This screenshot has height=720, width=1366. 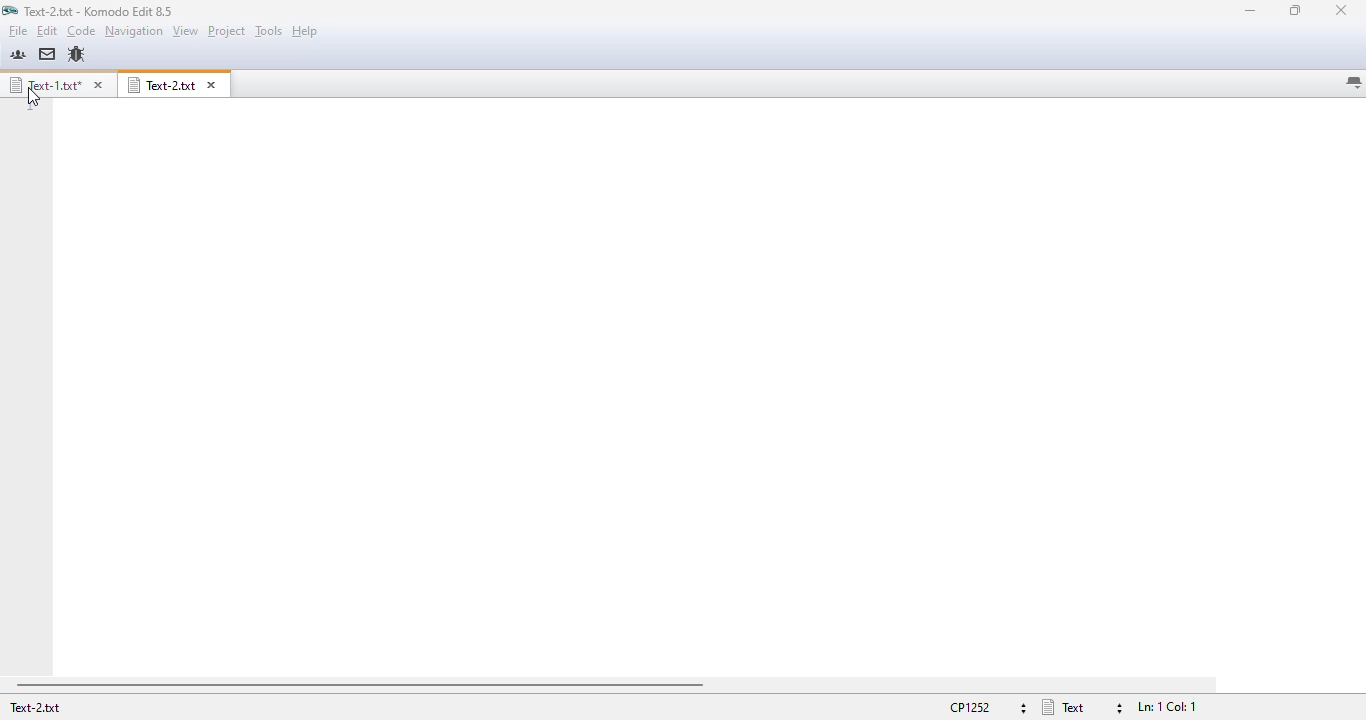 What do you see at coordinates (97, 85) in the screenshot?
I see `close tab` at bounding box center [97, 85].